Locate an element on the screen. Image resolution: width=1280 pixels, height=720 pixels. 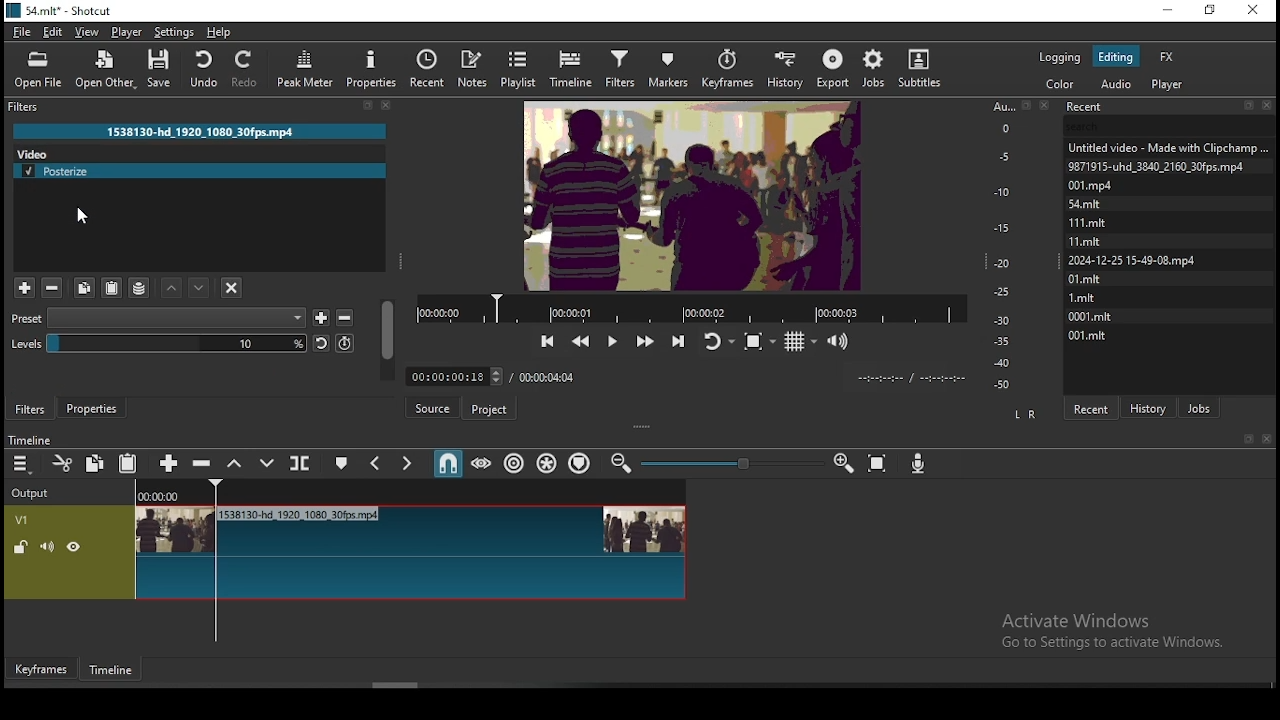
1.mit is located at coordinates (1081, 296).